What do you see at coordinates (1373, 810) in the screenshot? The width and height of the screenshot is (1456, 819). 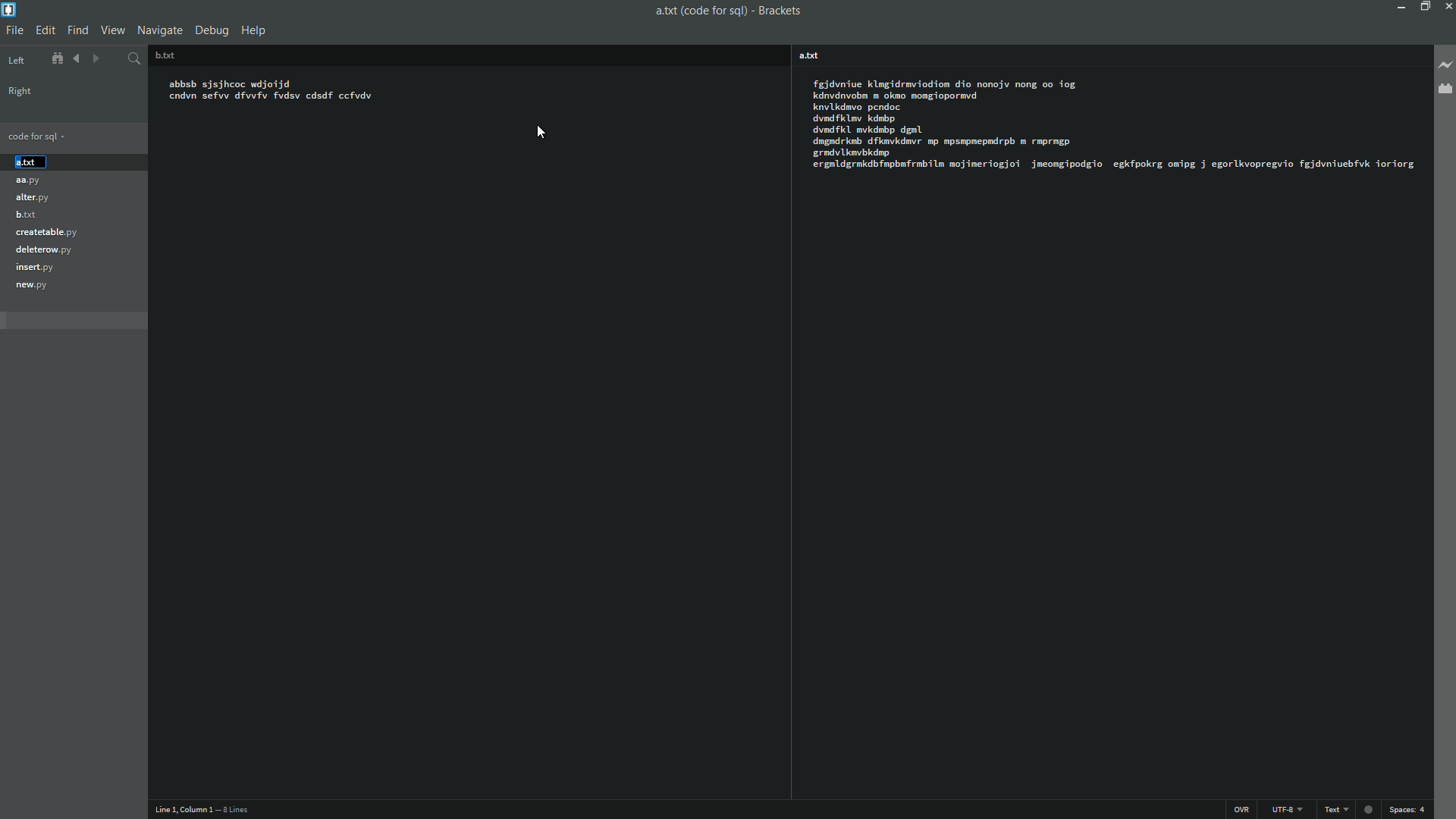 I see `Unsaved indicator` at bounding box center [1373, 810].